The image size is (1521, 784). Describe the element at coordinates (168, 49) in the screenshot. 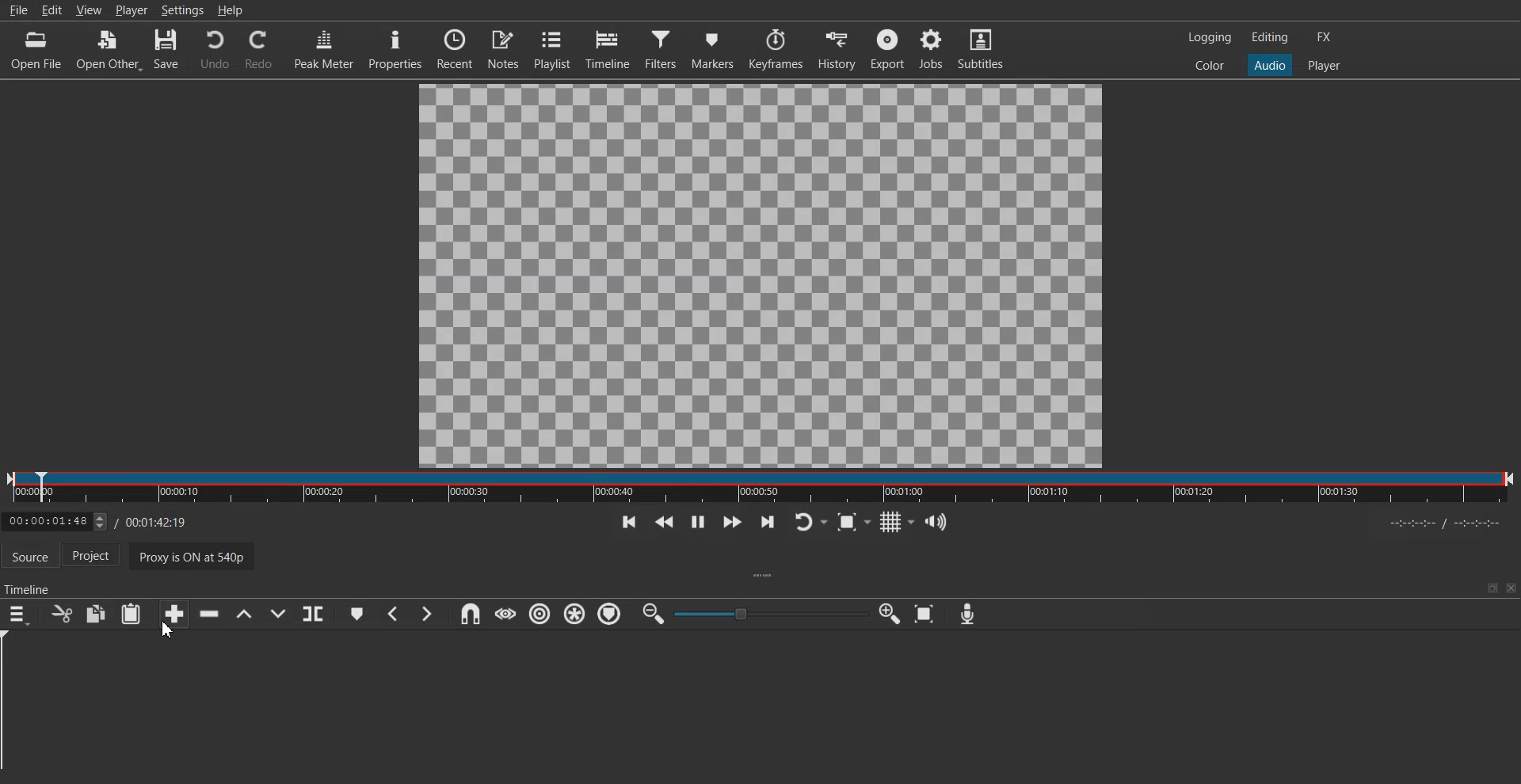

I see `Save` at that location.